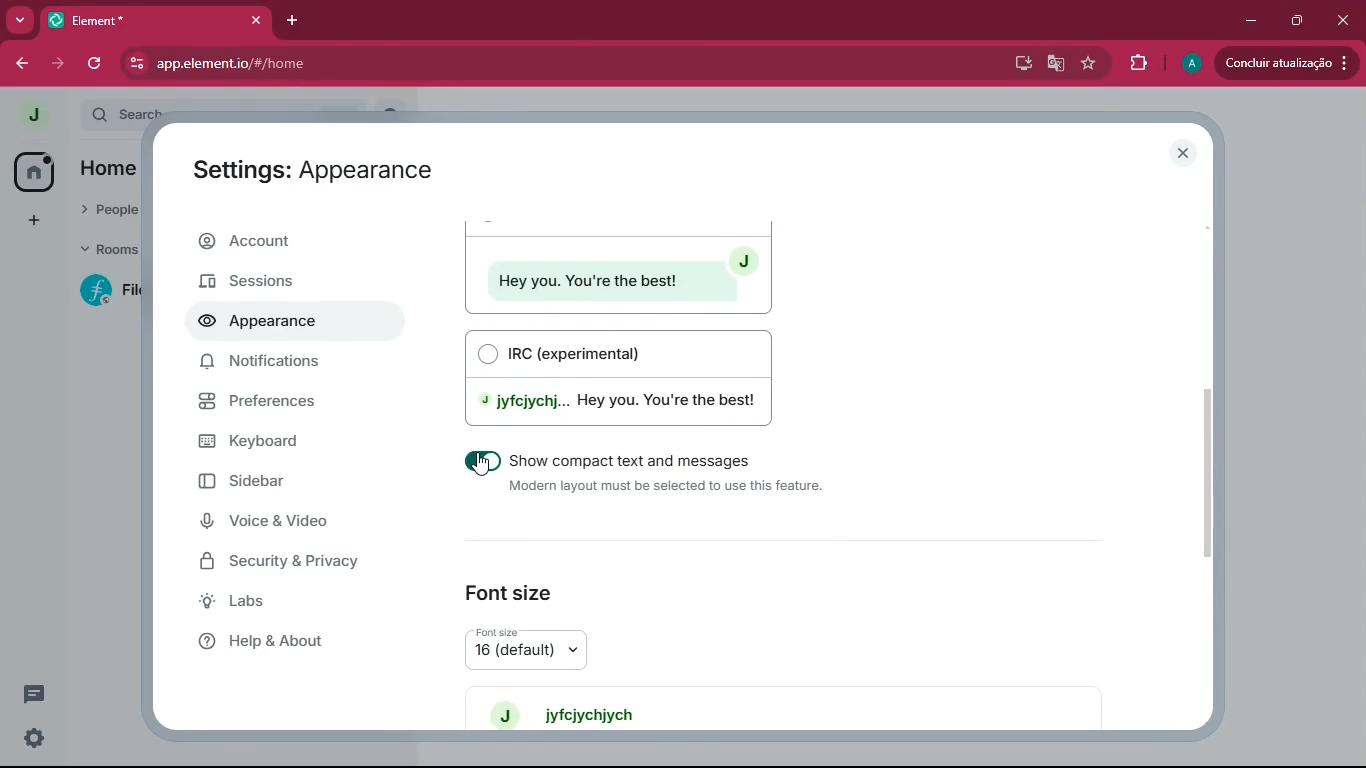  What do you see at coordinates (30, 739) in the screenshot?
I see `settings` at bounding box center [30, 739].